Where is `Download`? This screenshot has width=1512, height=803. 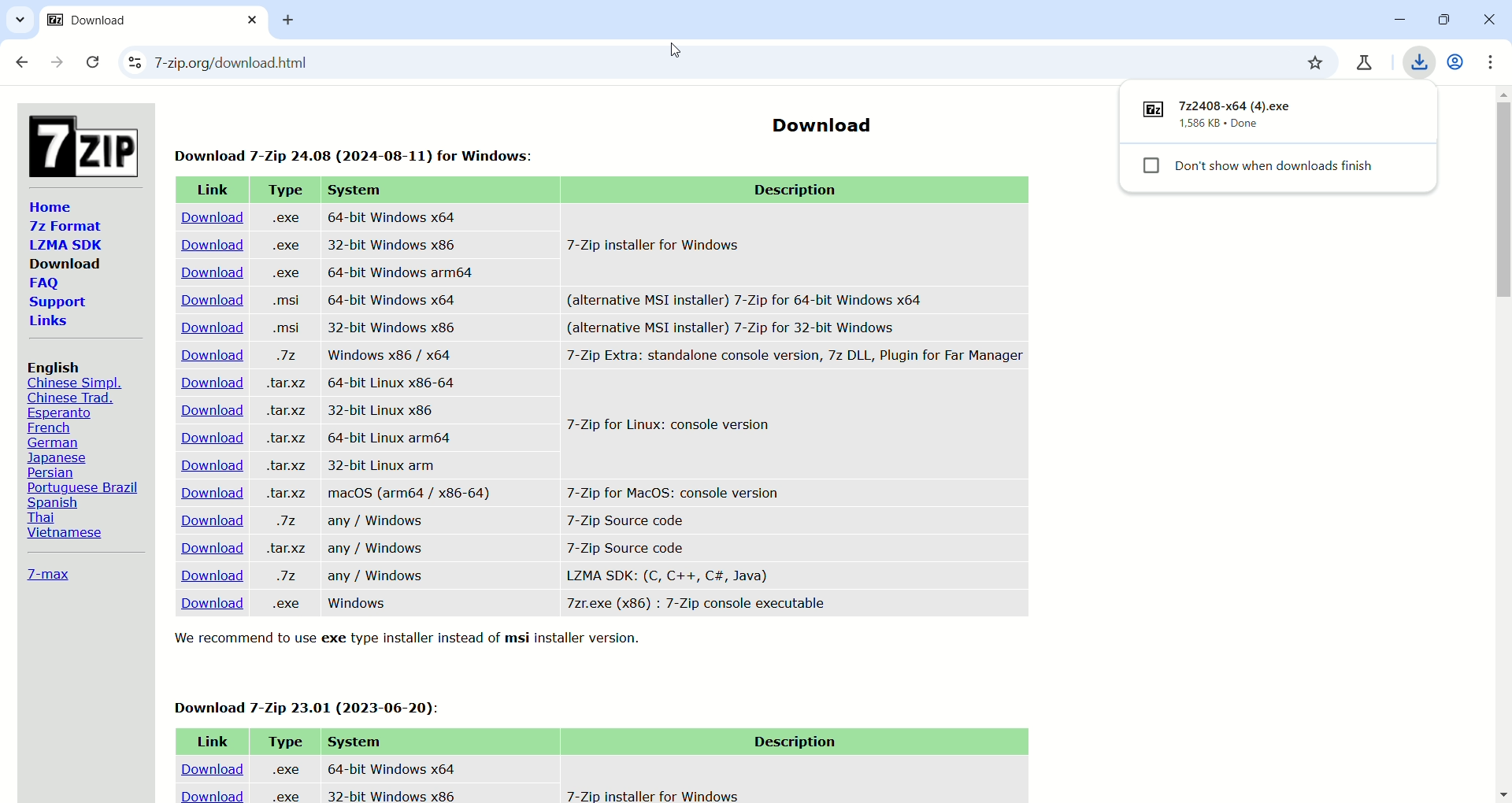 Download is located at coordinates (204, 490).